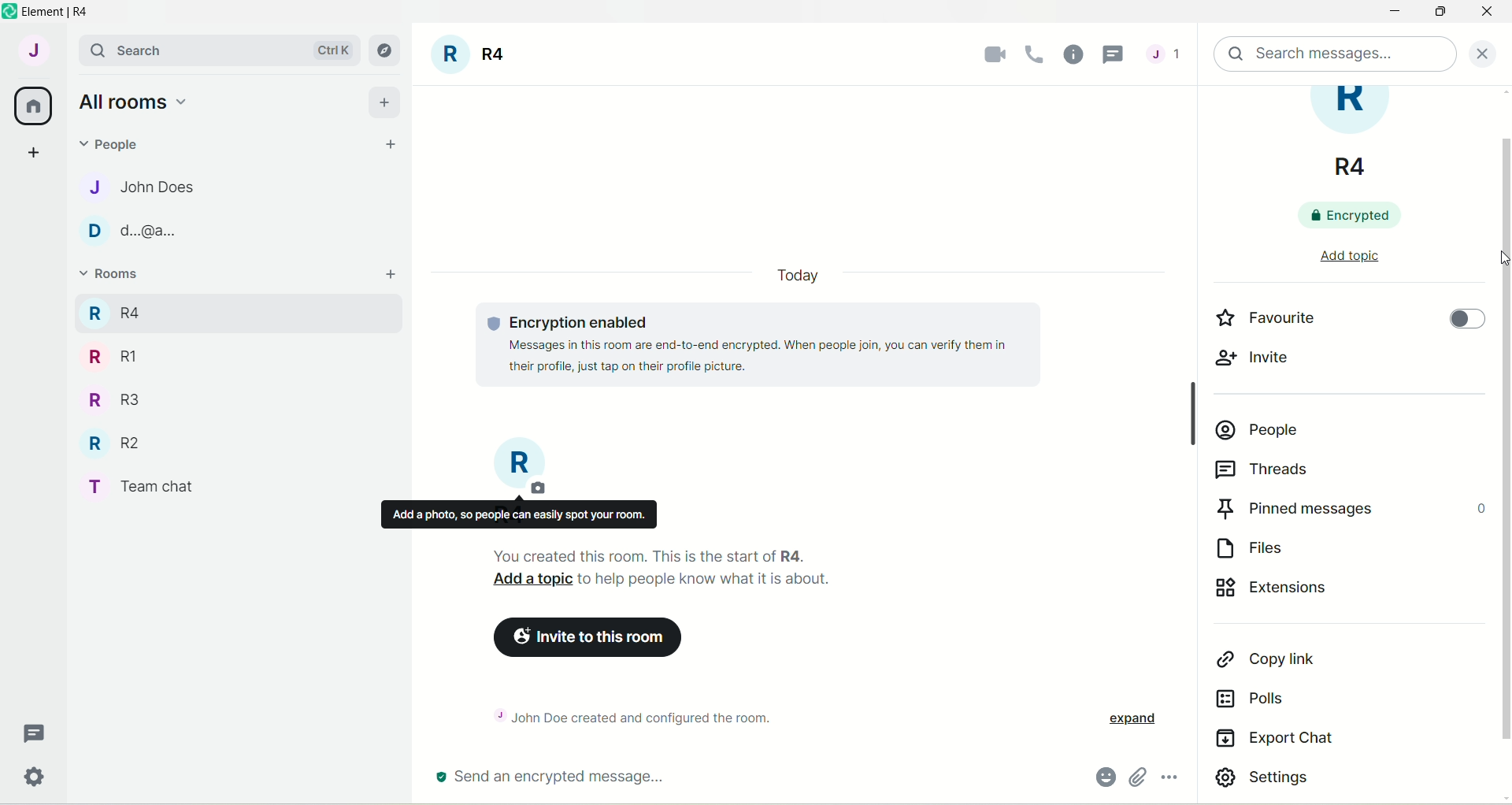 This screenshot has width=1512, height=805. What do you see at coordinates (32, 50) in the screenshot?
I see `account` at bounding box center [32, 50].